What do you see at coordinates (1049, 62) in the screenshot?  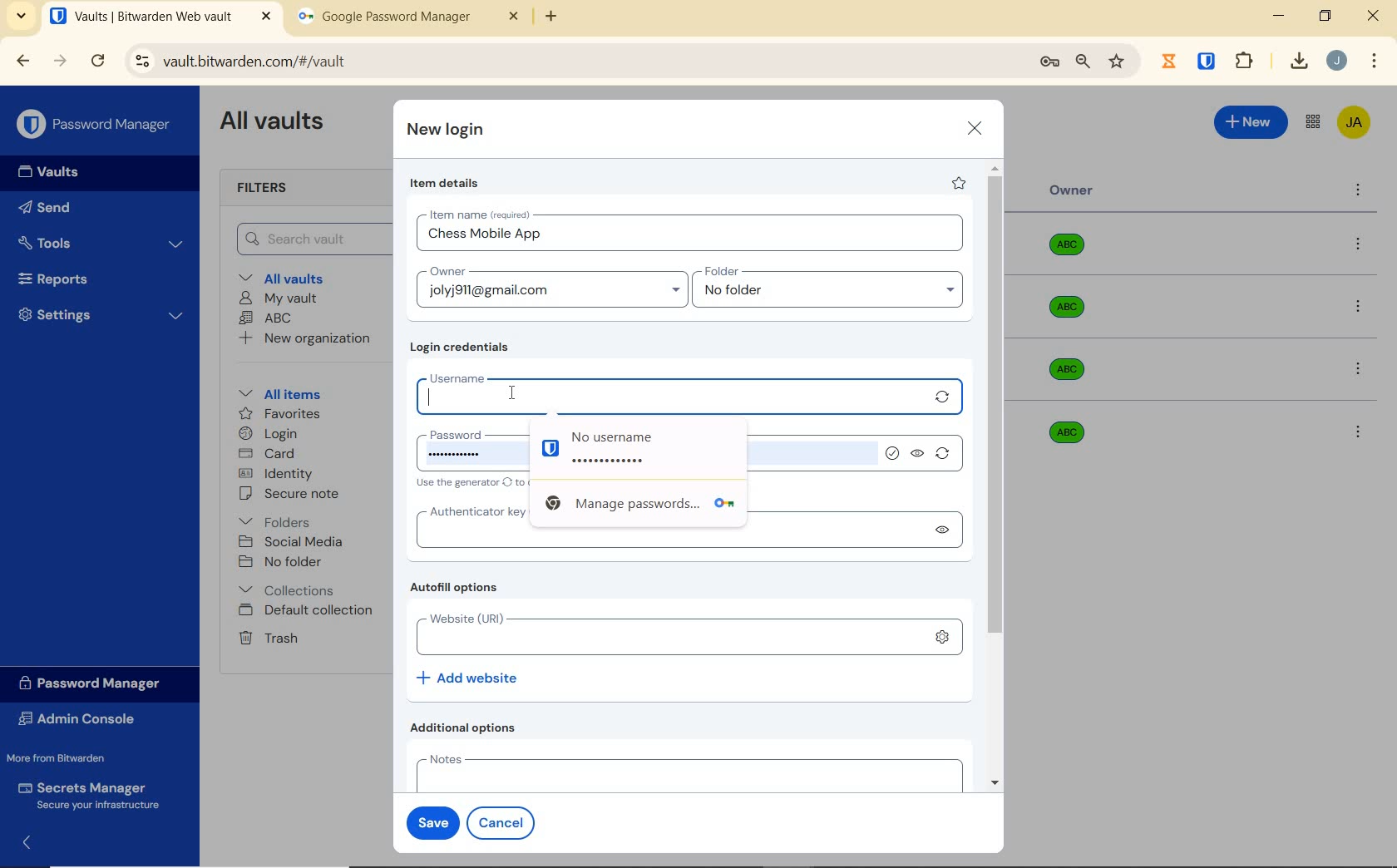 I see `manage passwords` at bounding box center [1049, 62].